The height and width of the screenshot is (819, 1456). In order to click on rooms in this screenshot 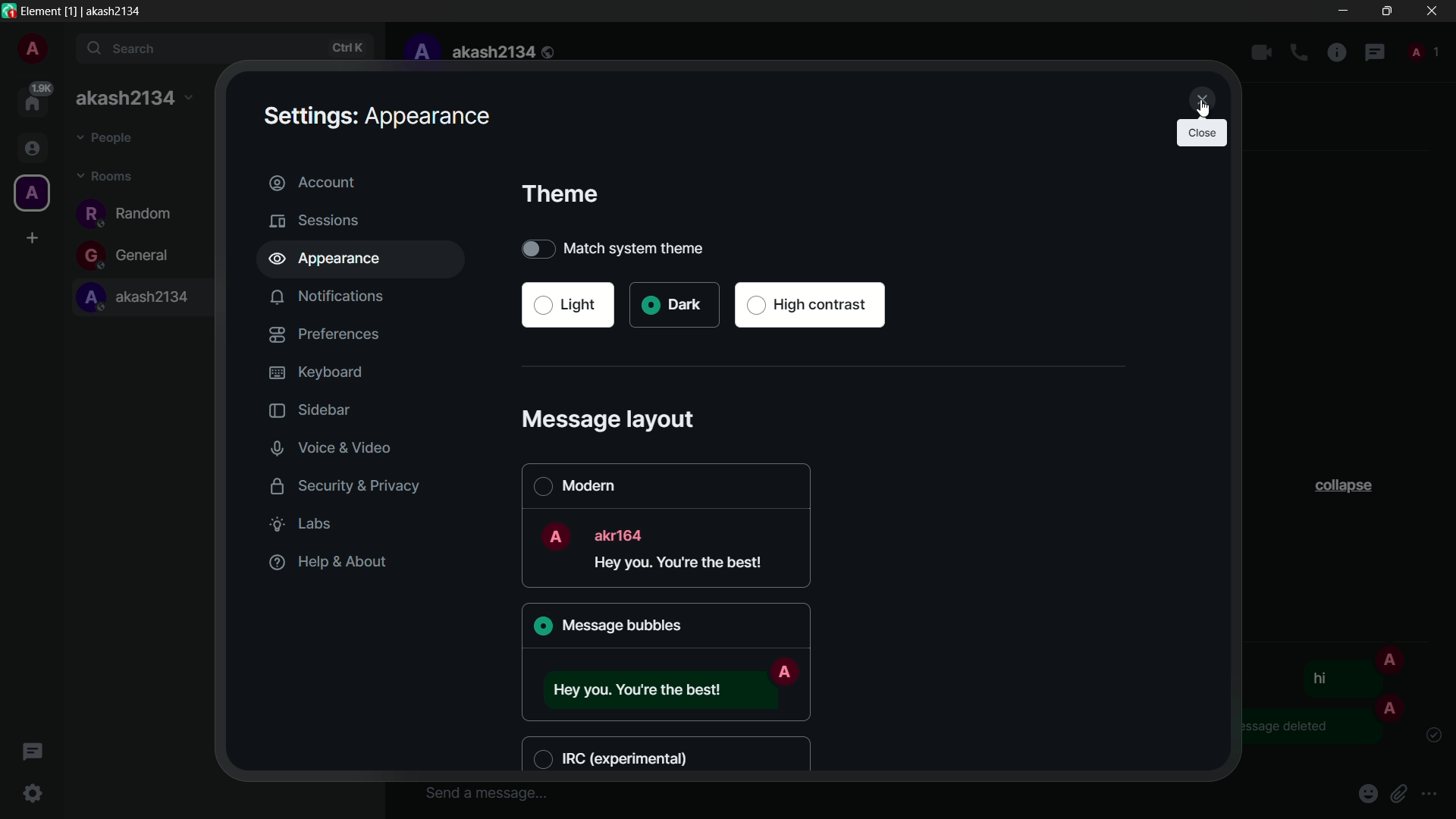, I will do `click(106, 177)`.